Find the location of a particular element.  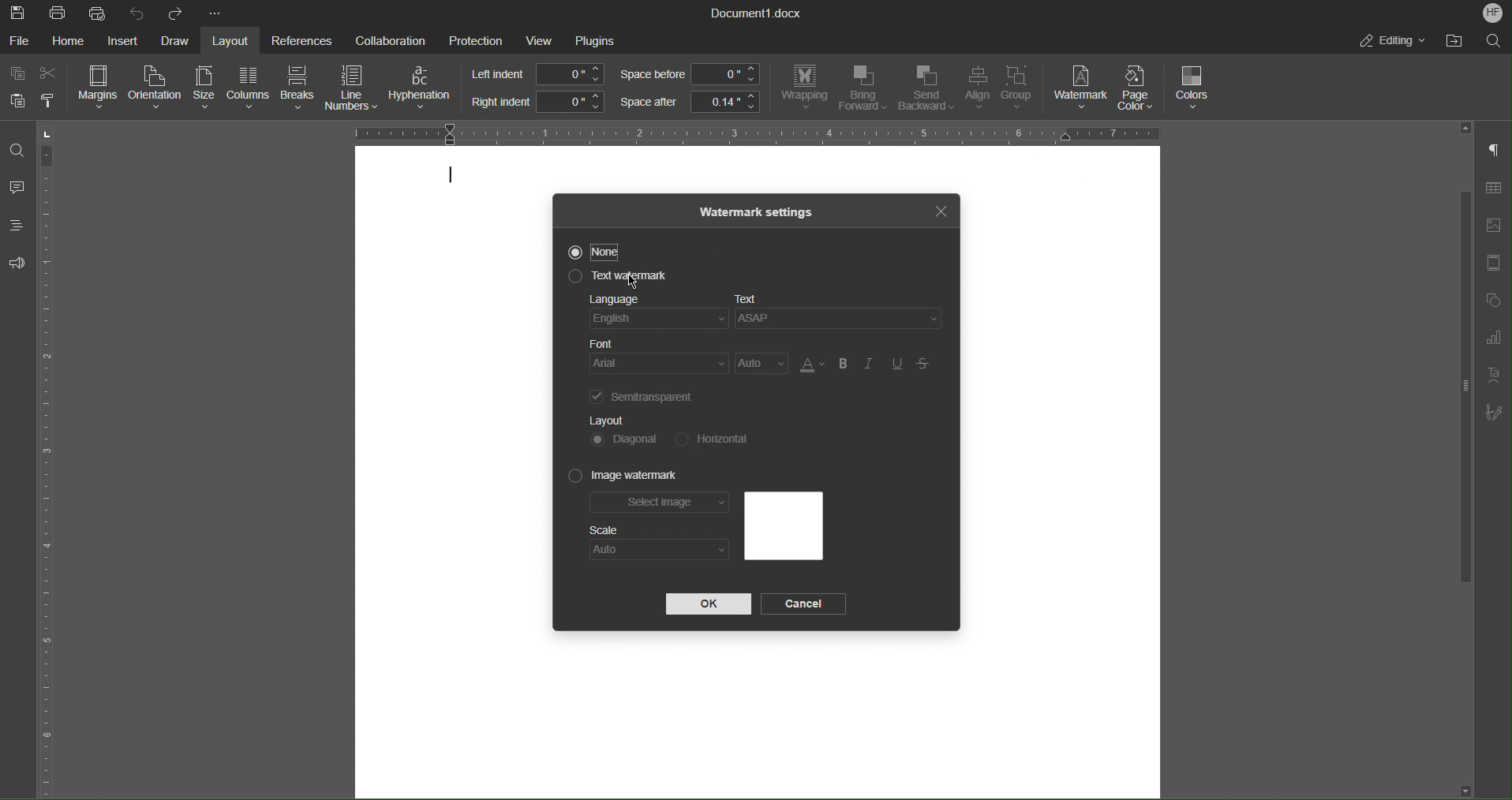

More is located at coordinates (217, 14).